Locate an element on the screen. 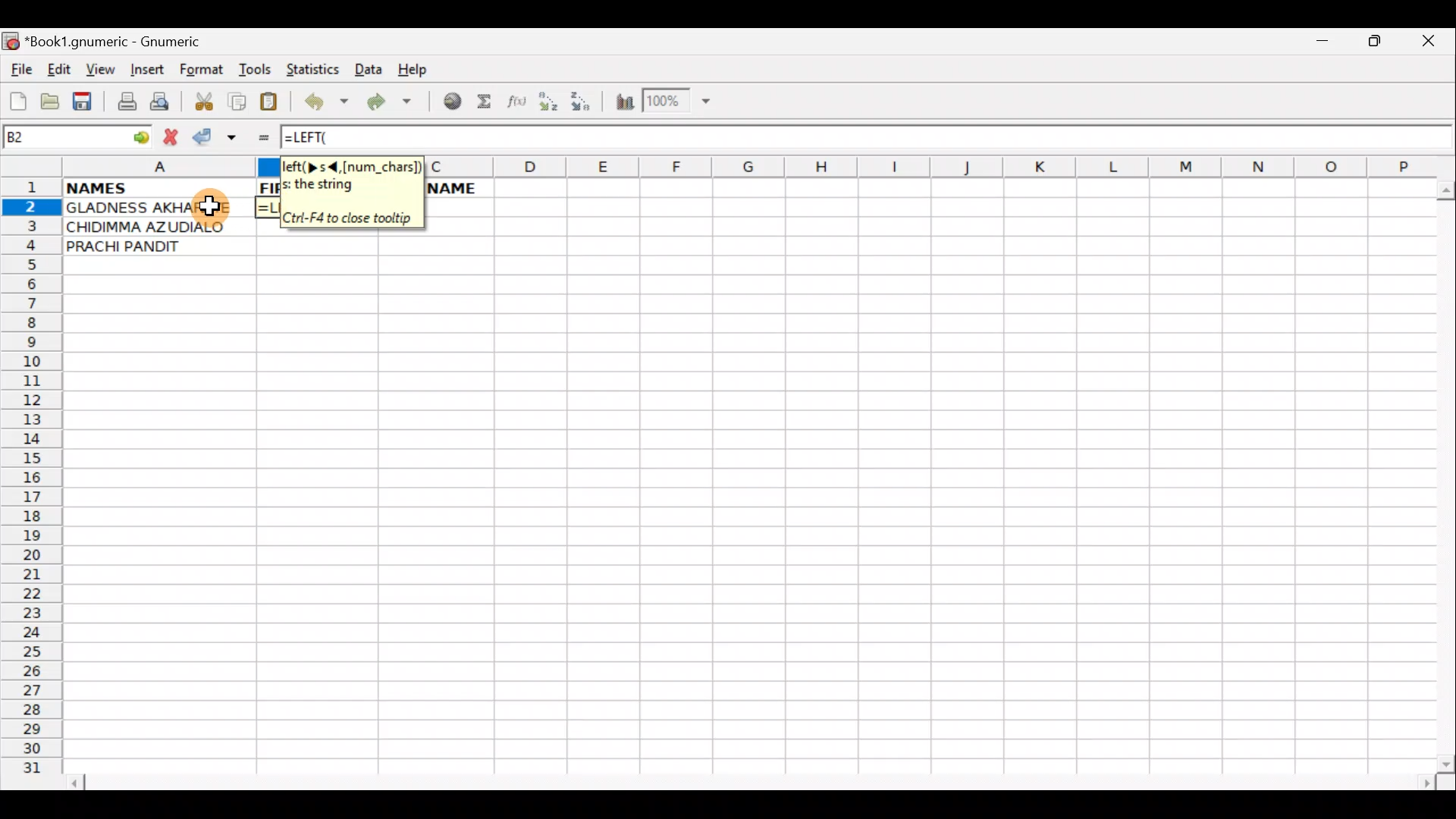 This screenshot has height=819, width=1456. Cells is located at coordinates (739, 532).